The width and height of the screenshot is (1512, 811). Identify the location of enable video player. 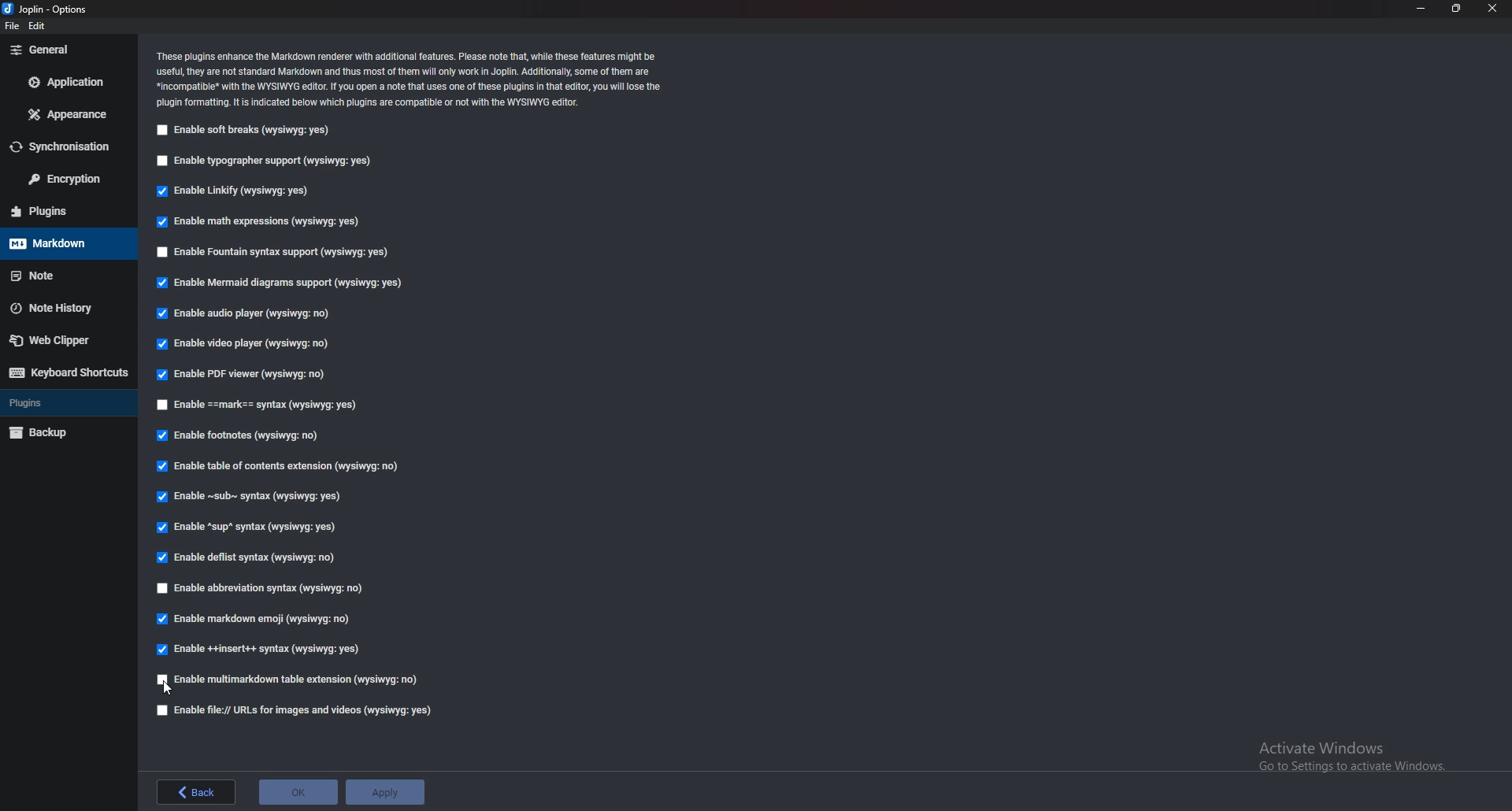
(243, 344).